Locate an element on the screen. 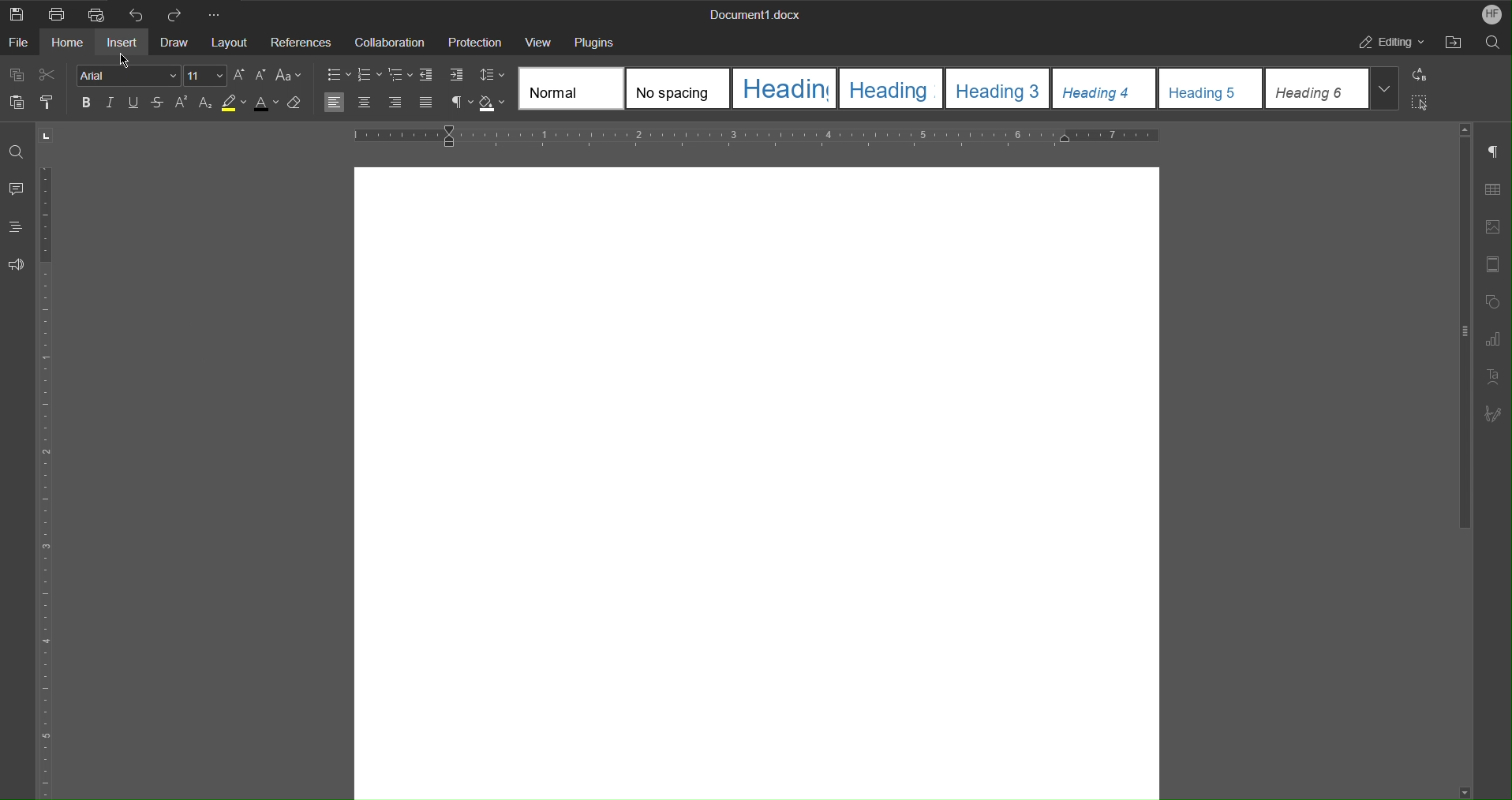 The image size is (1512, 800). Line Spacing is located at coordinates (492, 75).